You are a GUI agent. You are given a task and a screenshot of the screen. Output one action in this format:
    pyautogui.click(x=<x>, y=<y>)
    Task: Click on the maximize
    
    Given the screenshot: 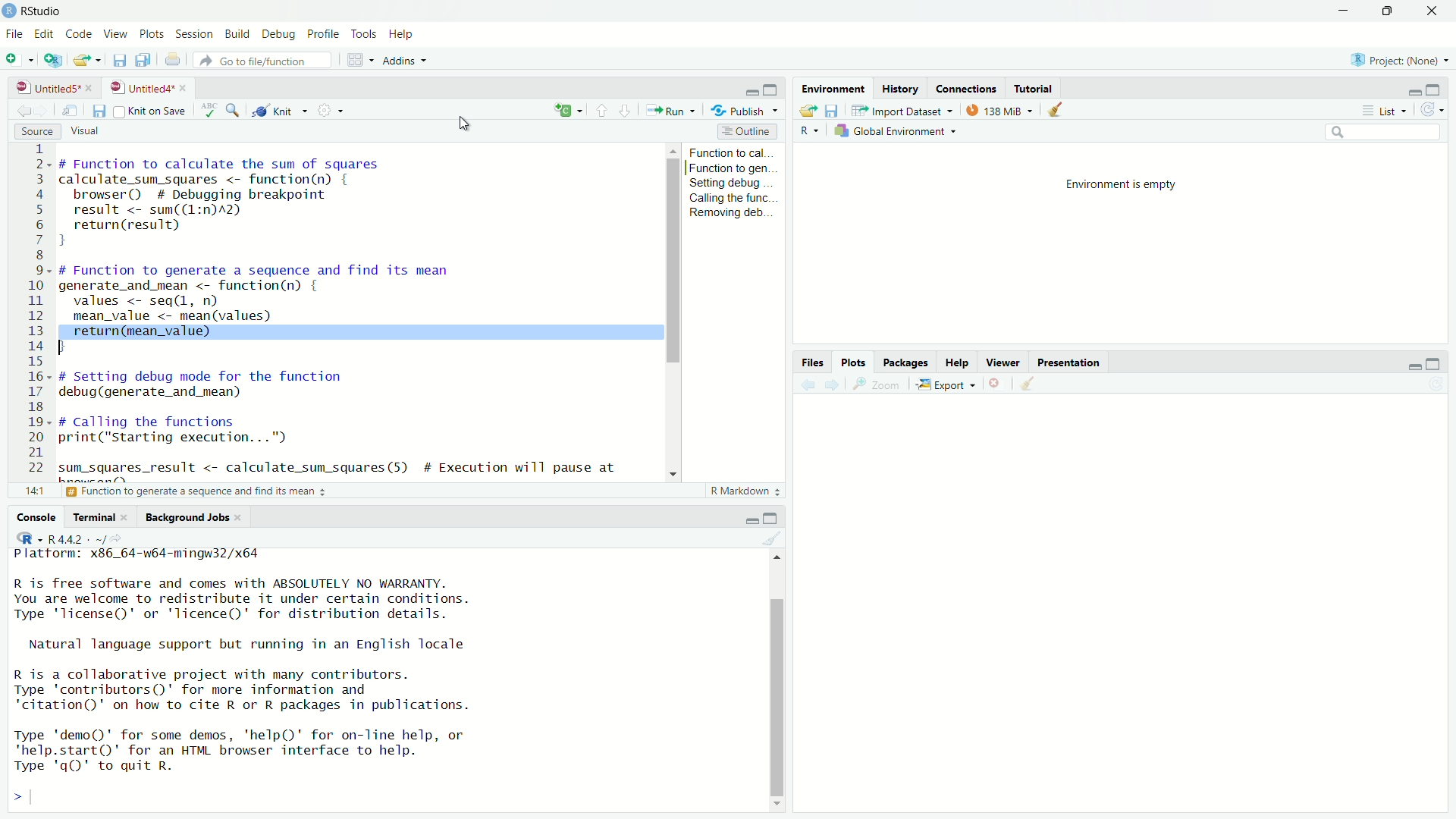 What is the action you would take?
    pyautogui.click(x=1439, y=359)
    